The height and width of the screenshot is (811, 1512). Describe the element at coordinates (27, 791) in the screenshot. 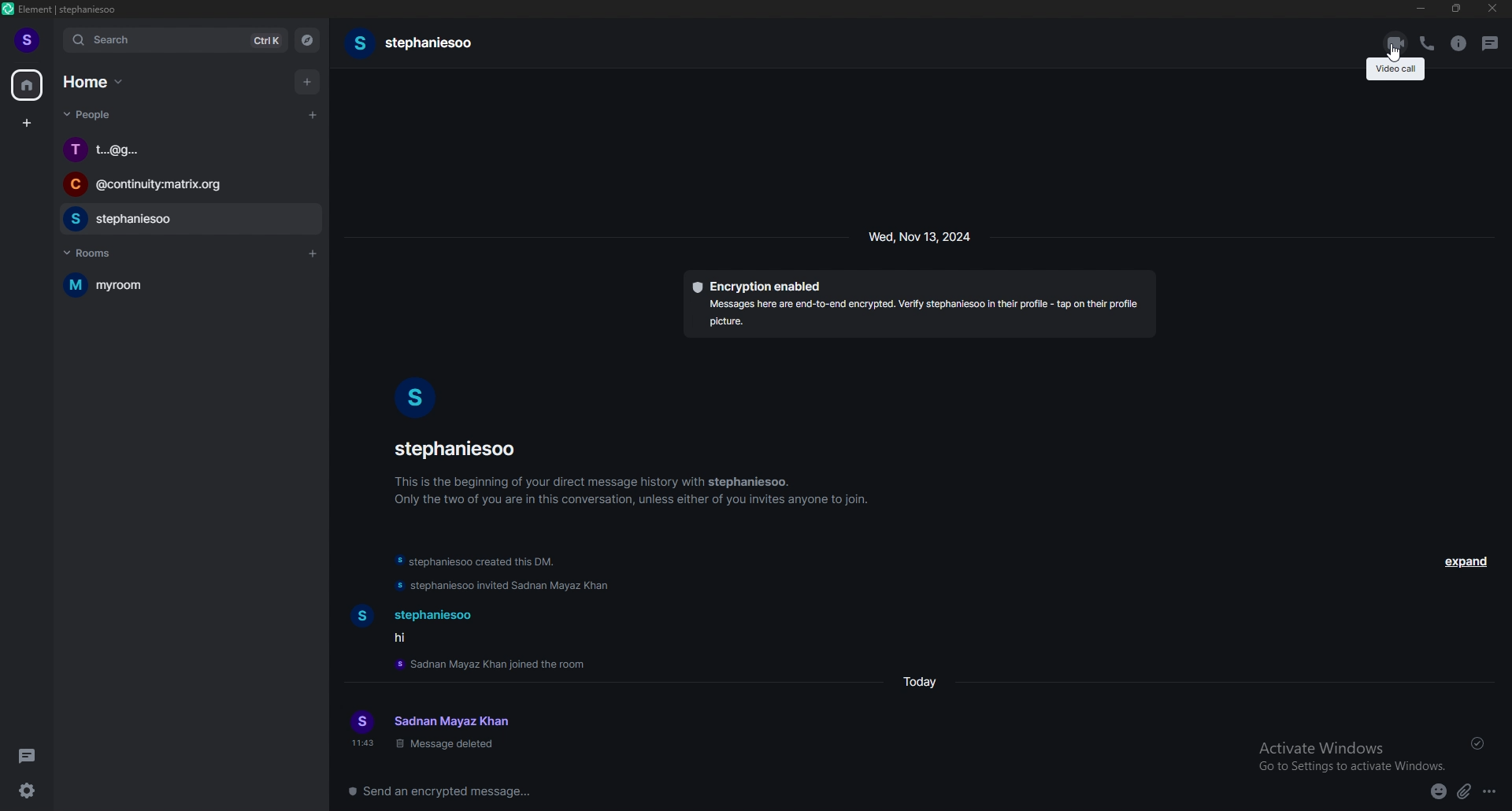

I see `settings` at that location.